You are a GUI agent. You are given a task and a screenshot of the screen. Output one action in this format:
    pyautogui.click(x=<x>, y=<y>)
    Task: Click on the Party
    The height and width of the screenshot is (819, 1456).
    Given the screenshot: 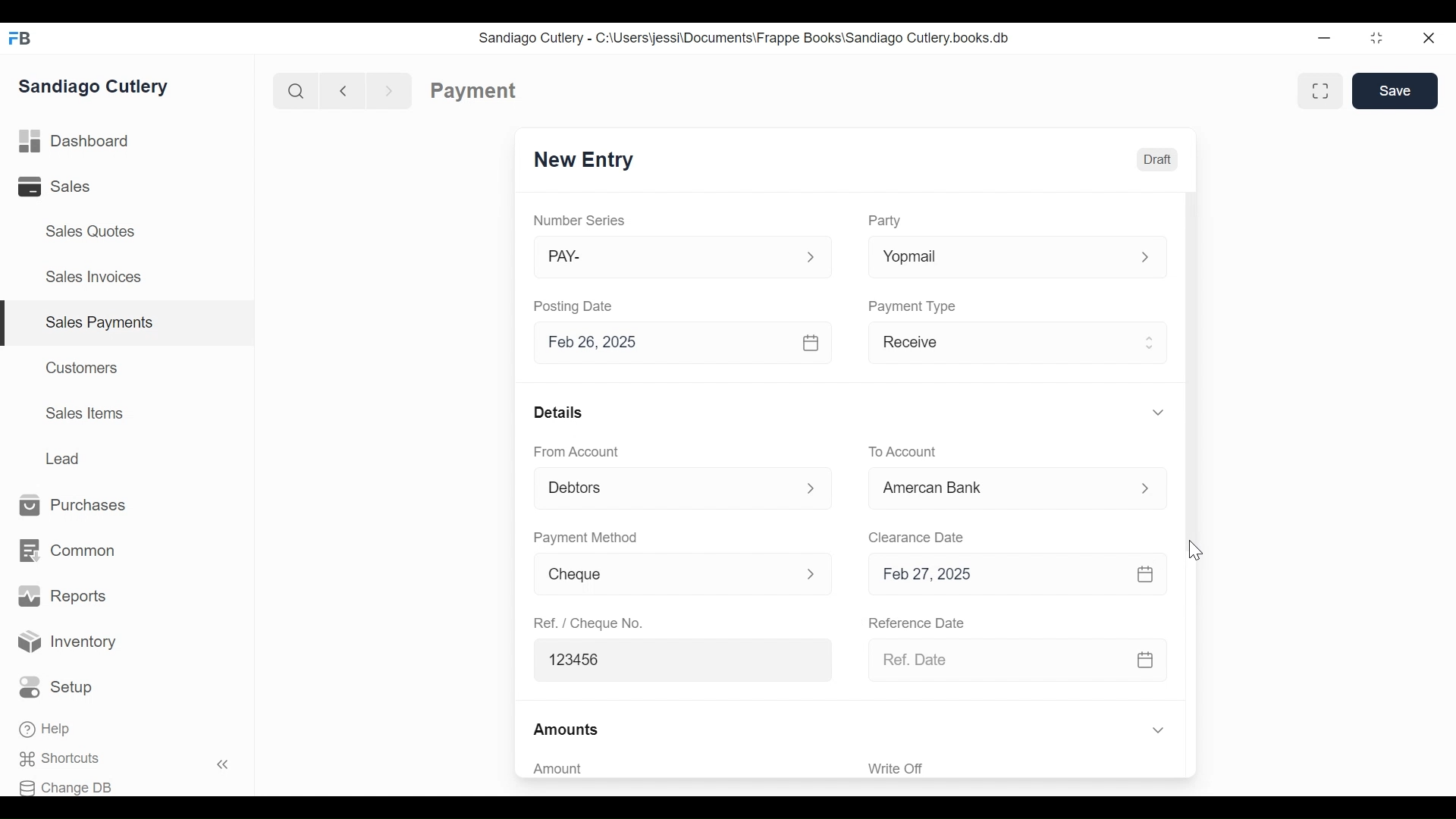 What is the action you would take?
    pyautogui.click(x=884, y=221)
    